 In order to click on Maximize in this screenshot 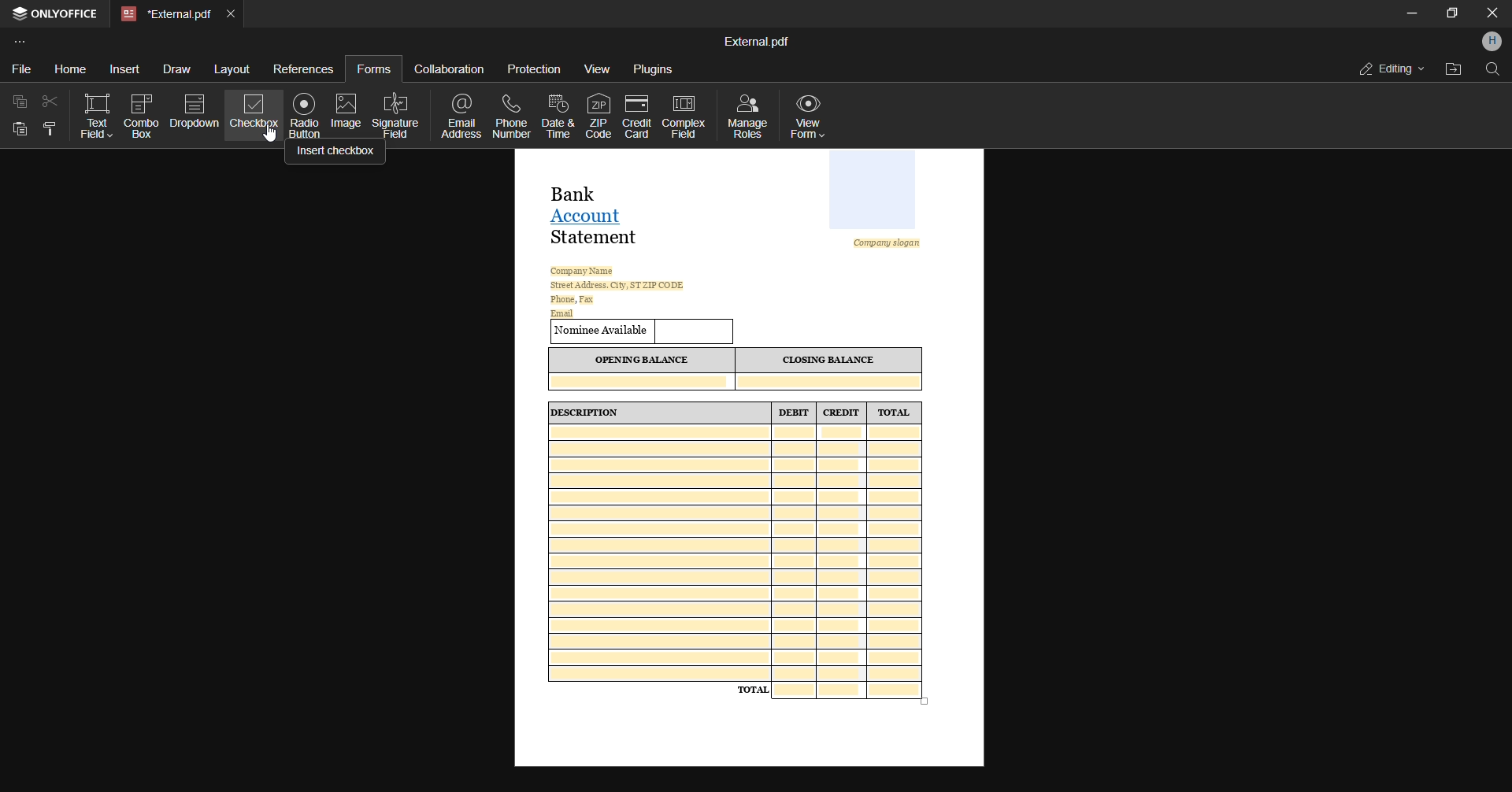, I will do `click(1452, 14)`.